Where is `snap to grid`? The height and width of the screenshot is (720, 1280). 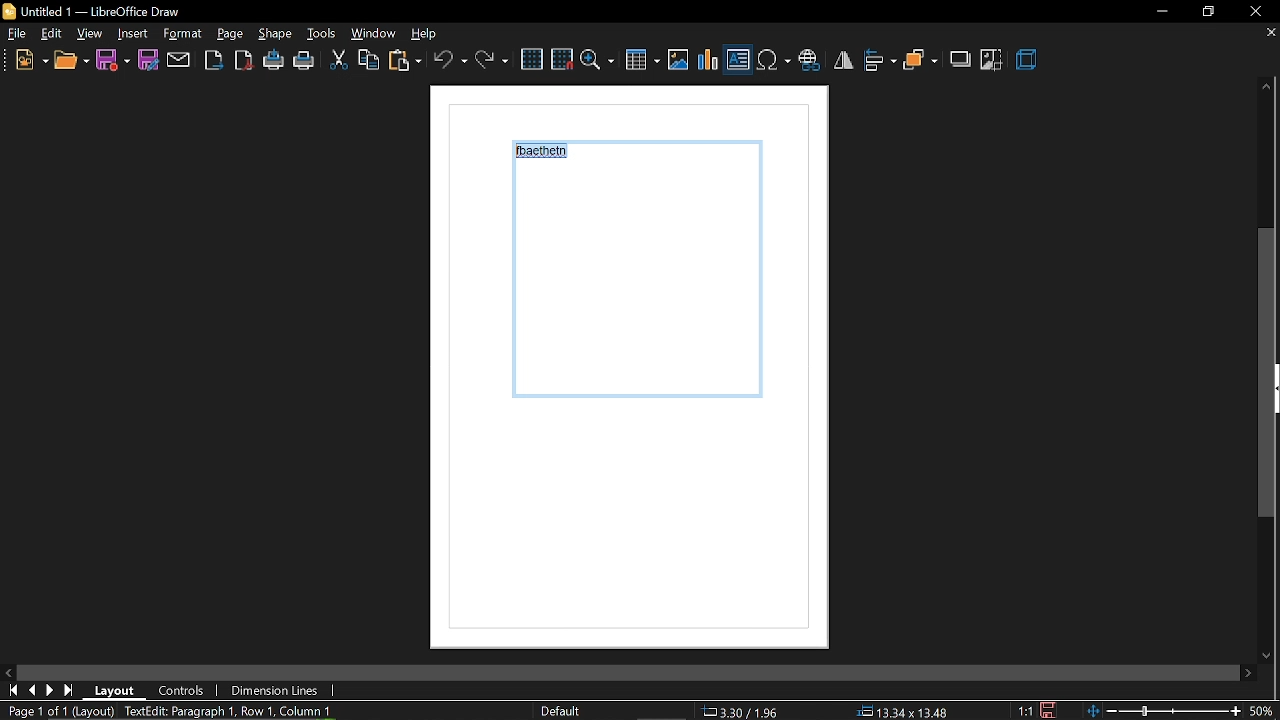
snap to grid is located at coordinates (562, 58).